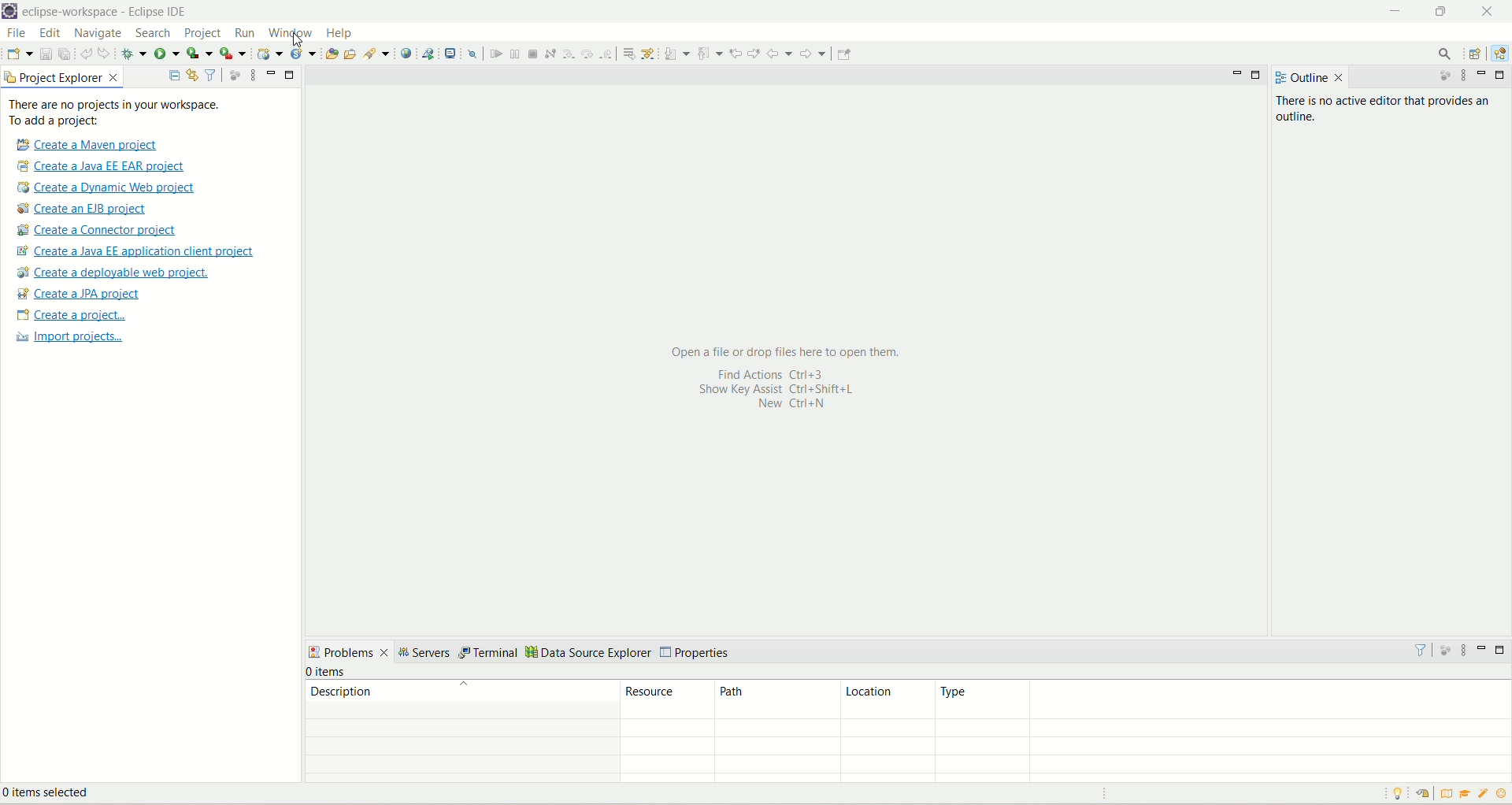 The height and width of the screenshot is (805, 1512). I want to click on restore welcome, so click(1421, 794).